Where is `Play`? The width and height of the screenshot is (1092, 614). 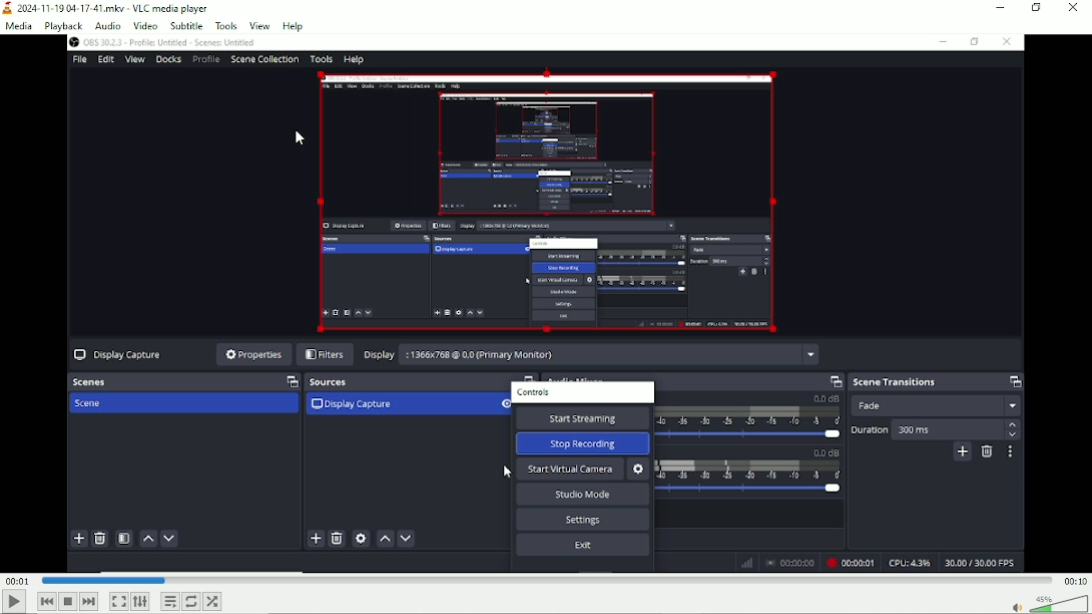
Play is located at coordinates (12, 603).